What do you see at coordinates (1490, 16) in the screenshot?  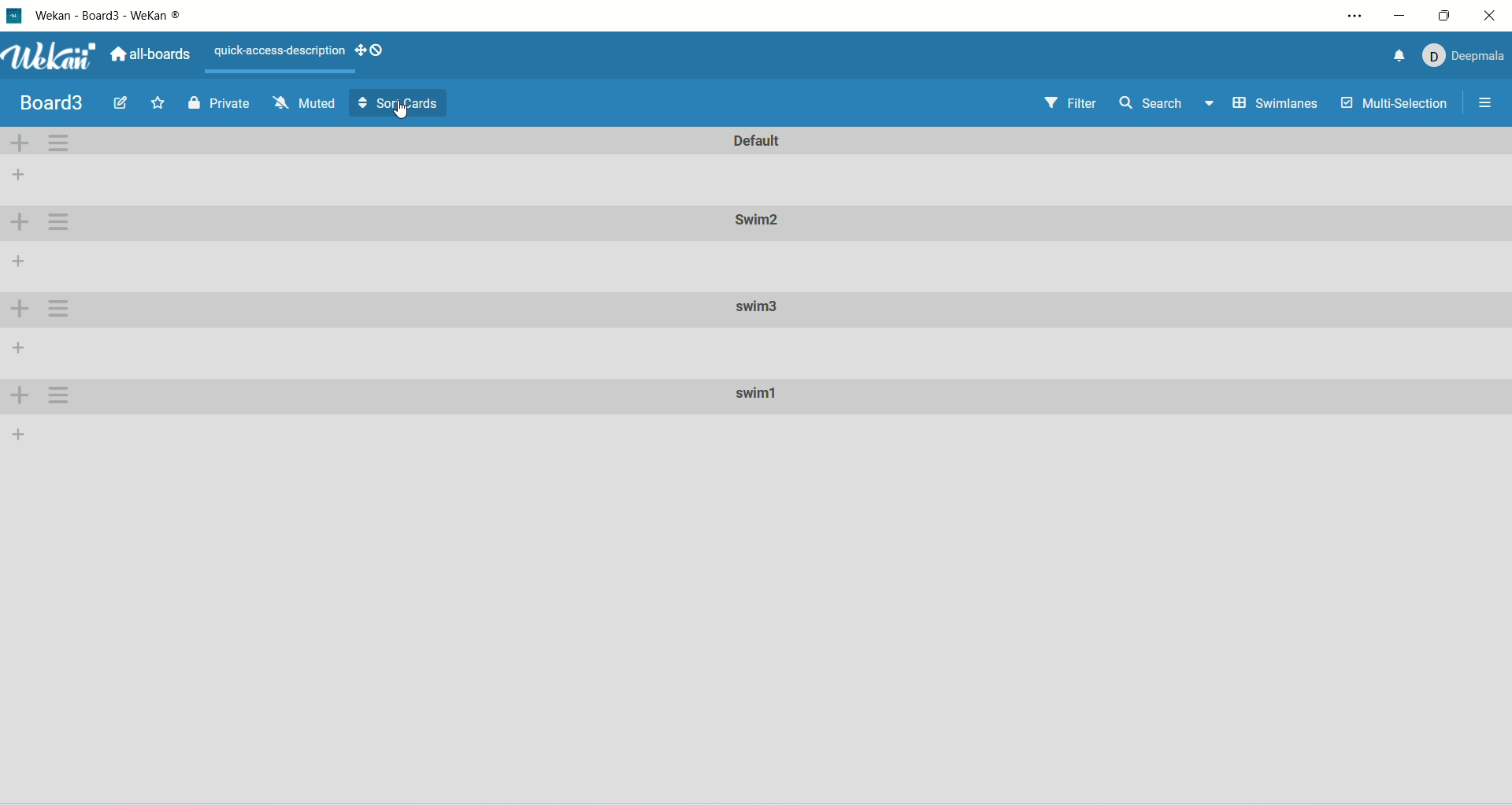 I see `close` at bounding box center [1490, 16].